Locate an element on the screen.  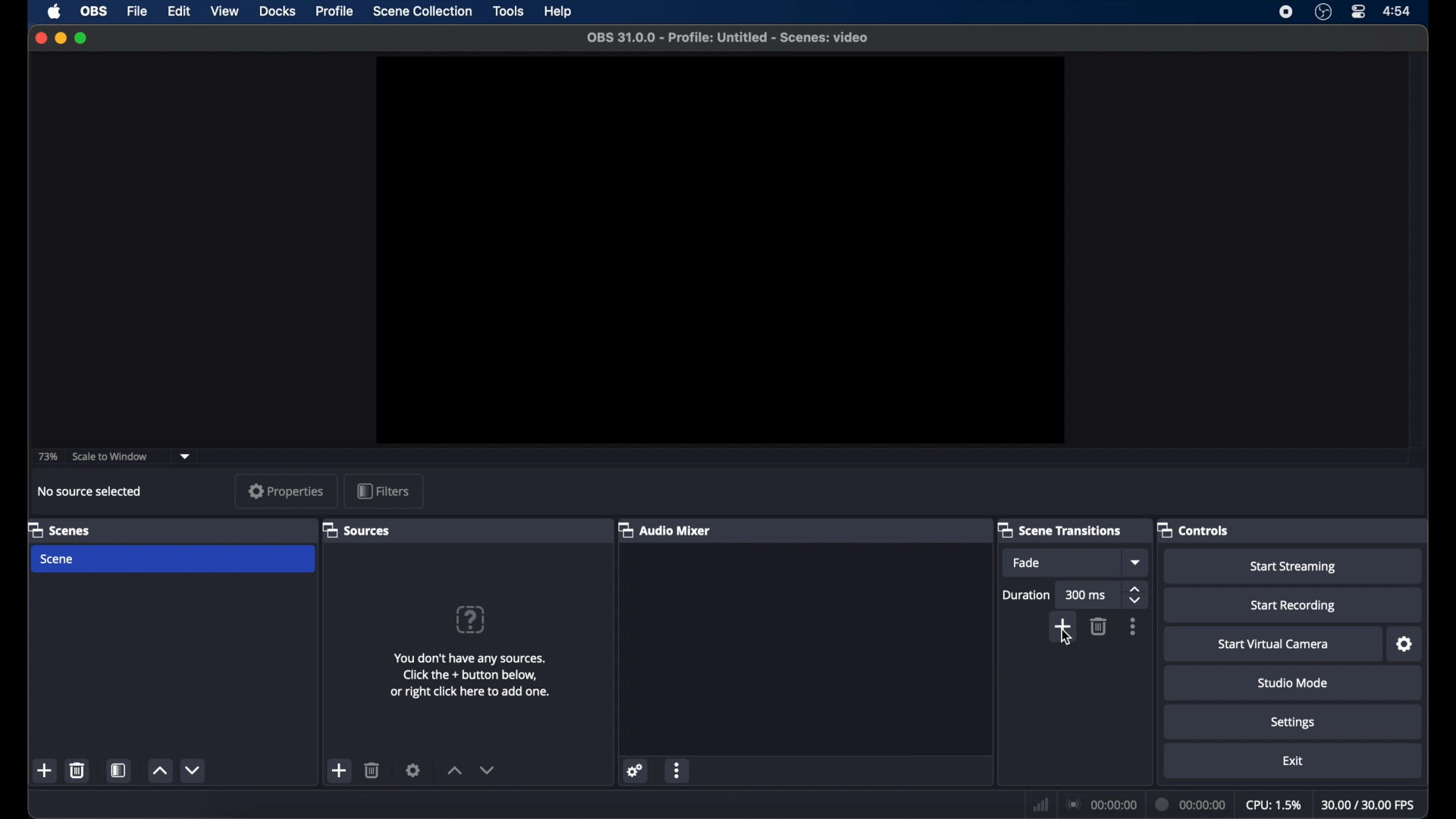
increment is located at coordinates (158, 771).